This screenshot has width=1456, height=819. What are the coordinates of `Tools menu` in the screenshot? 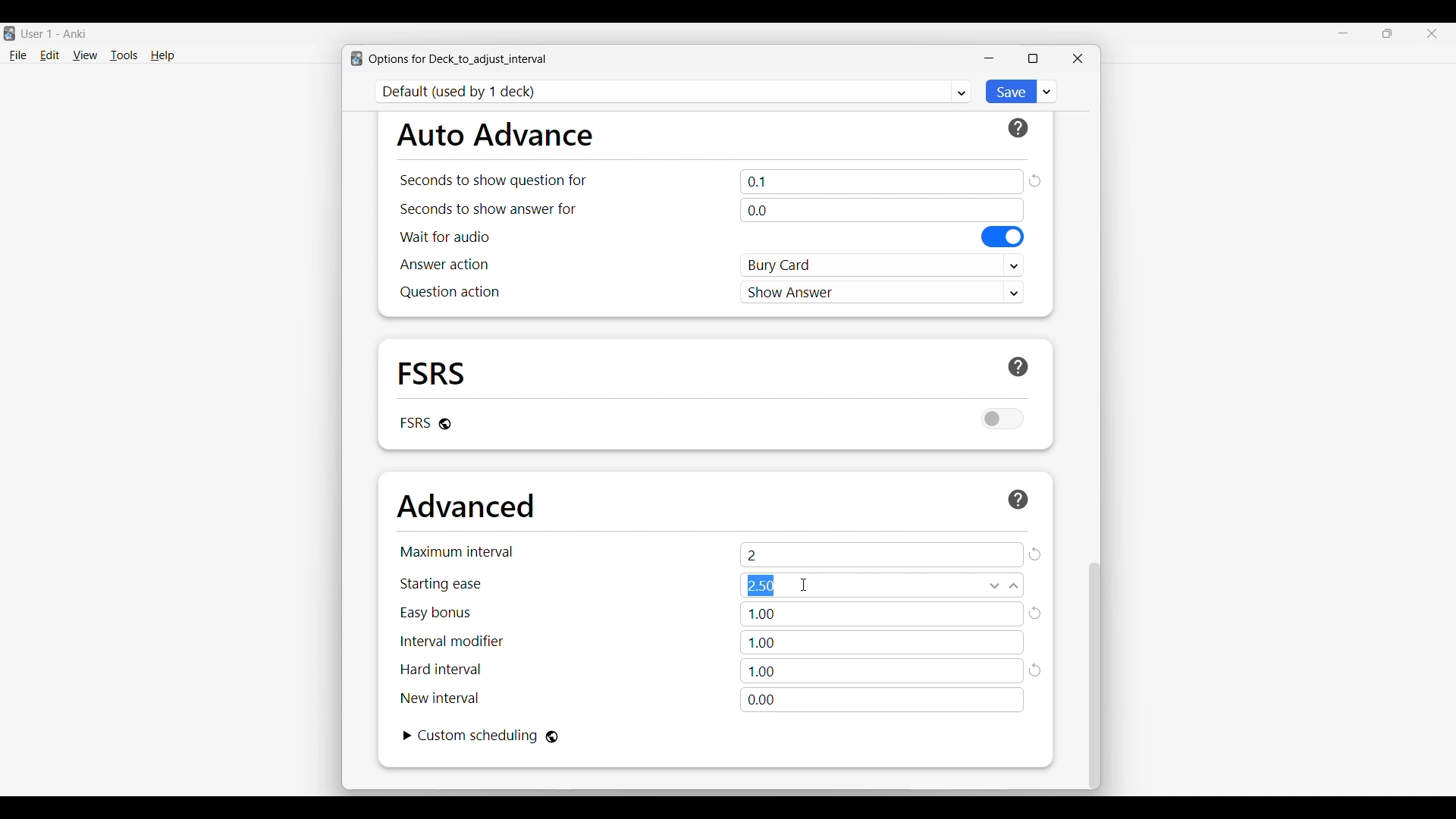 It's located at (124, 55).